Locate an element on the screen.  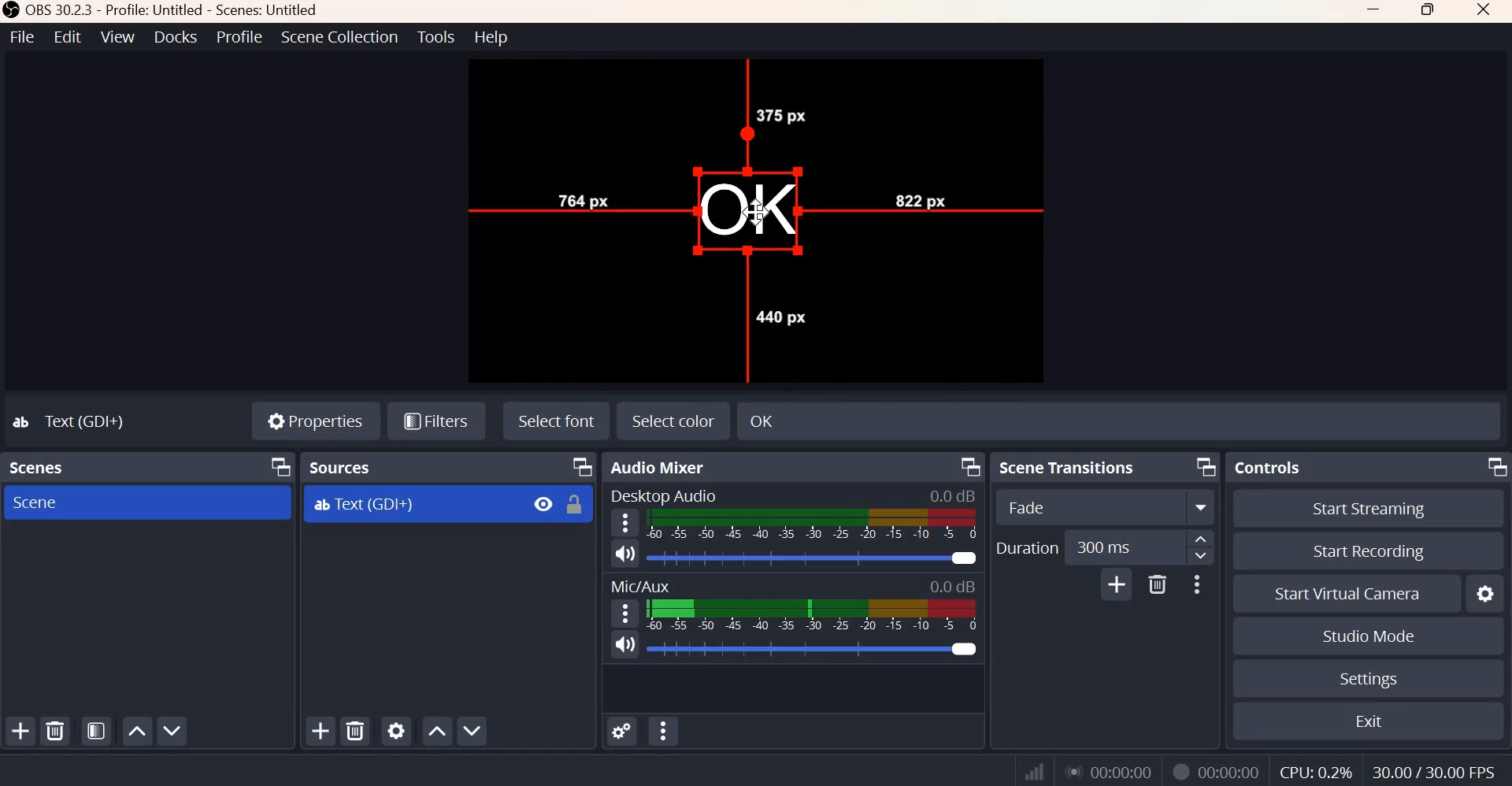
Select color is located at coordinates (672, 421).